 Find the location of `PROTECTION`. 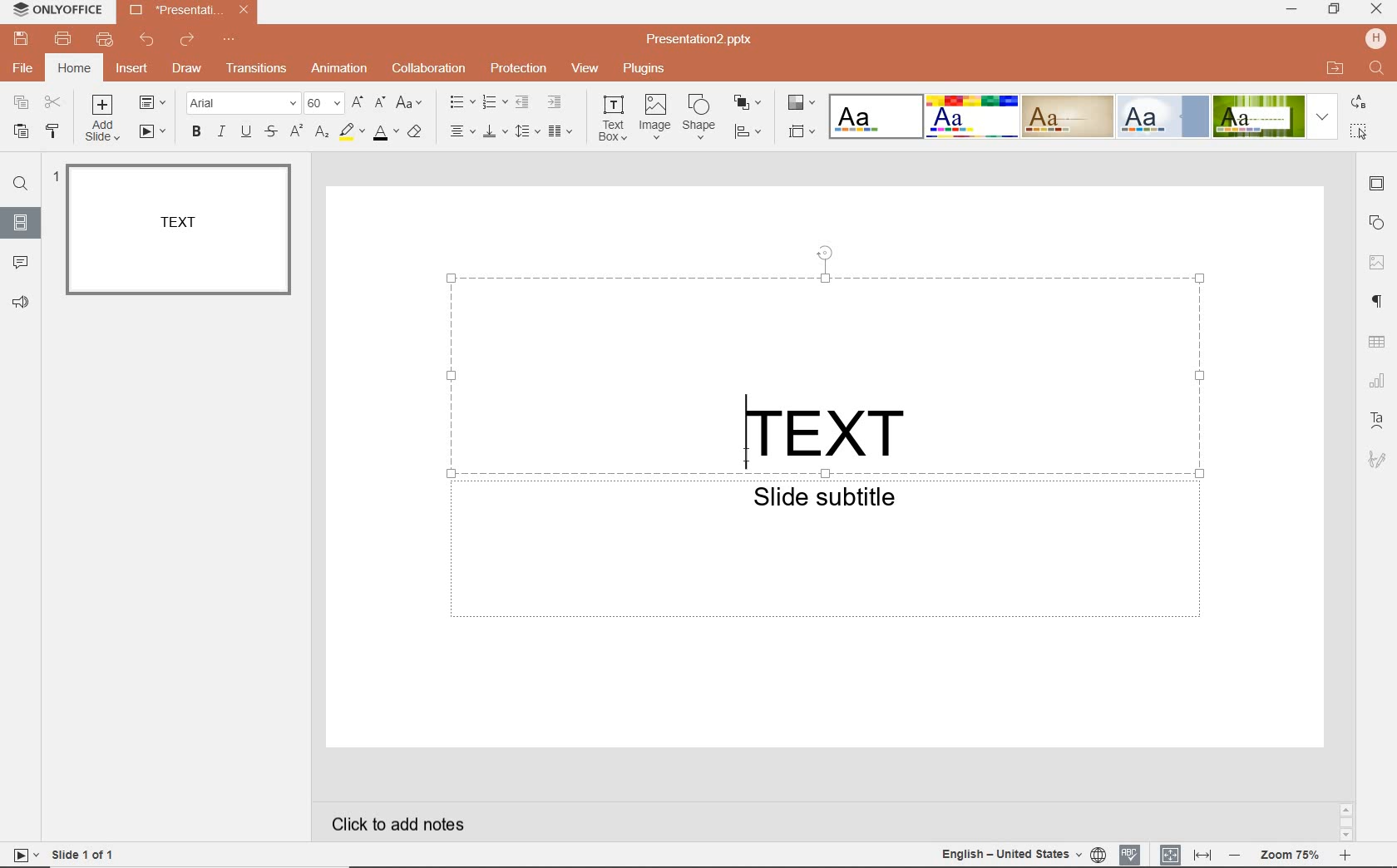

PROTECTION is located at coordinates (517, 68).